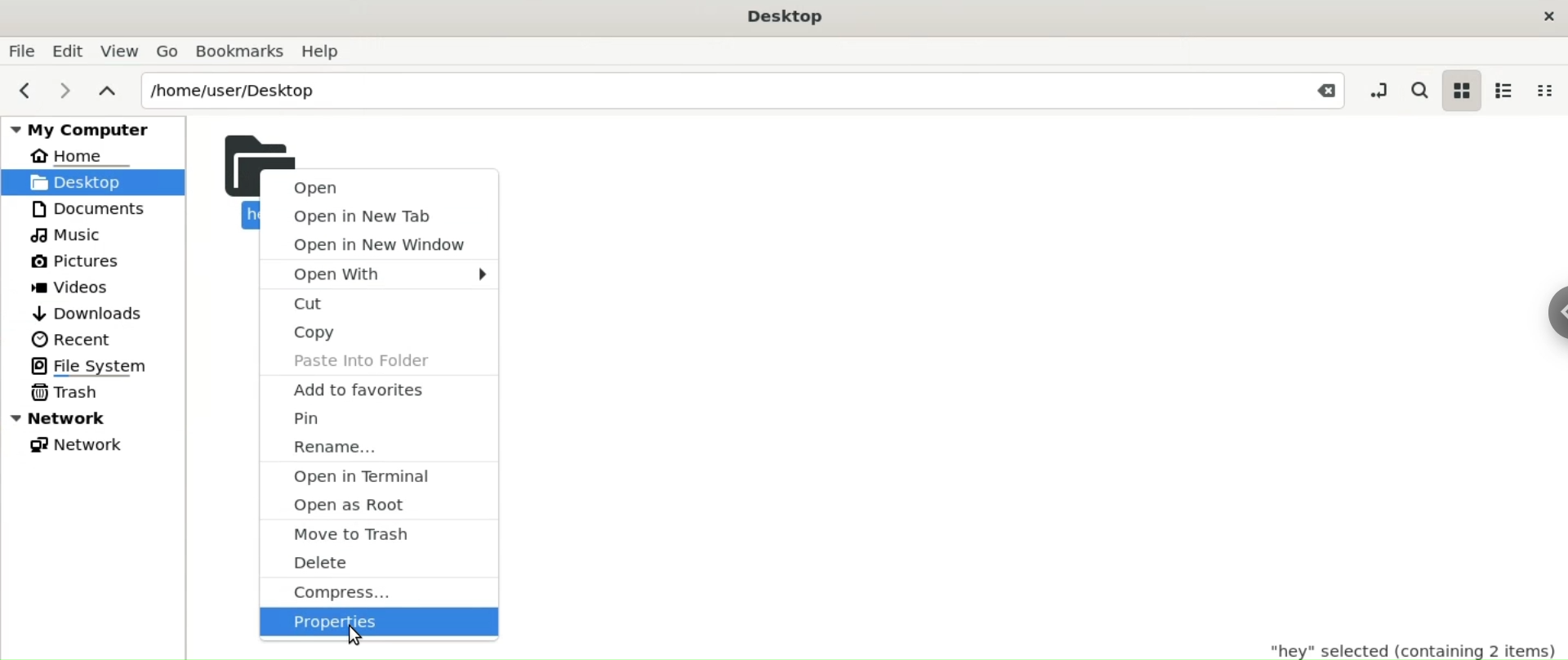 This screenshot has width=1568, height=660. I want to click on Home, so click(105, 154).